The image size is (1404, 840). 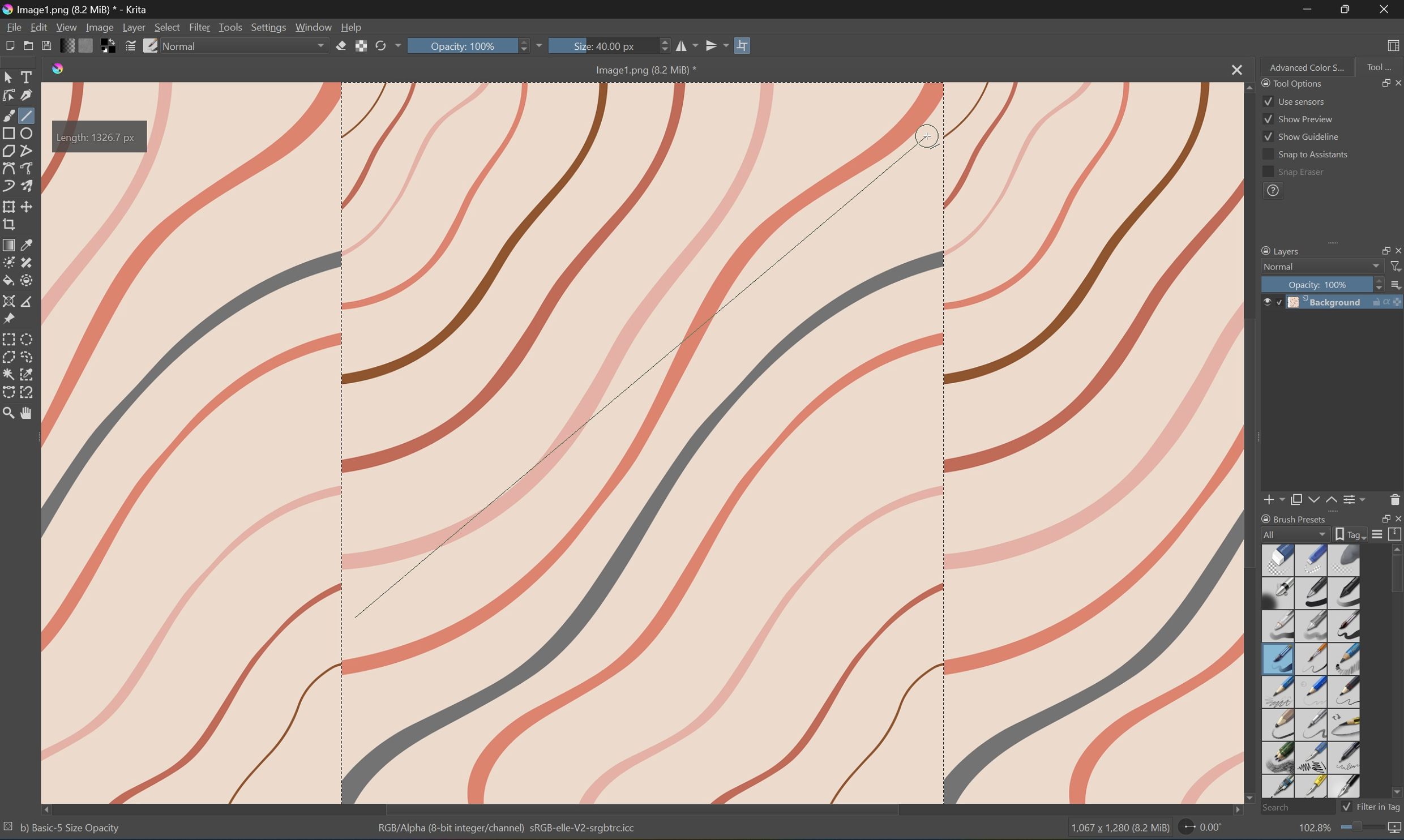 What do you see at coordinates (232, 27) in the screenshot?
I see `Tools` at bounding box center [232, 27].